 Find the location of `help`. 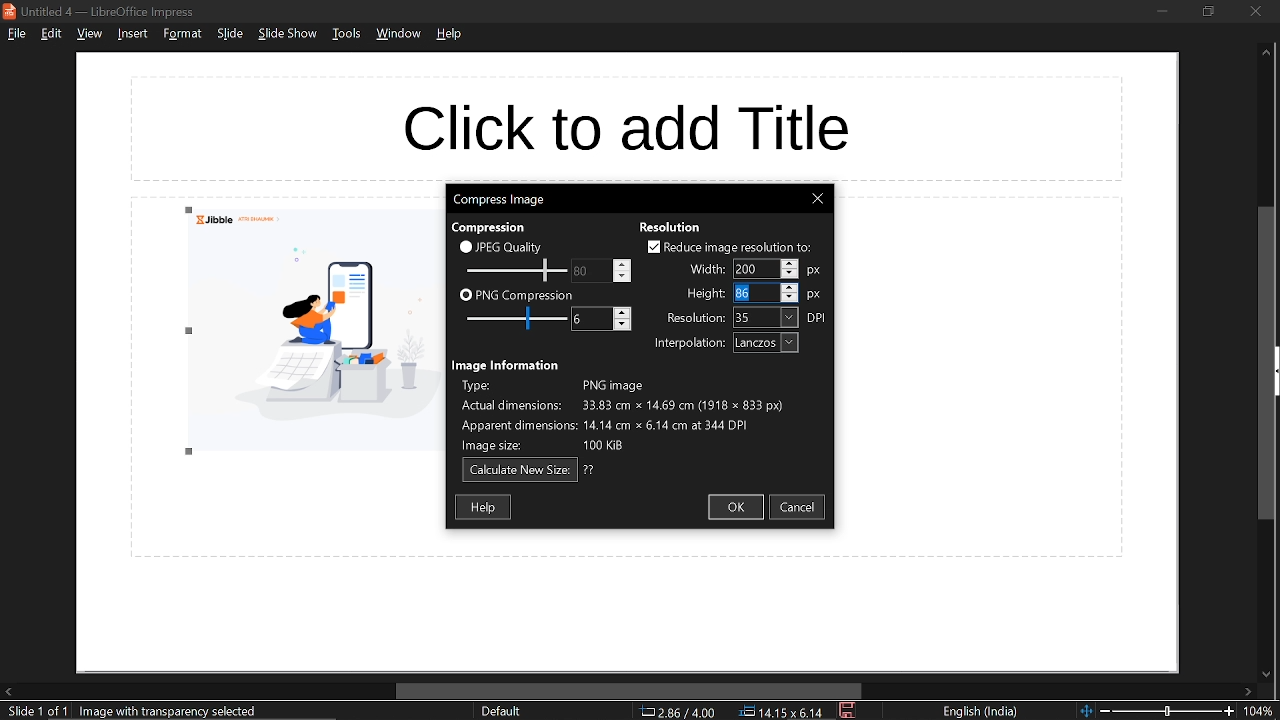

help is located at coordinates (485, 506).